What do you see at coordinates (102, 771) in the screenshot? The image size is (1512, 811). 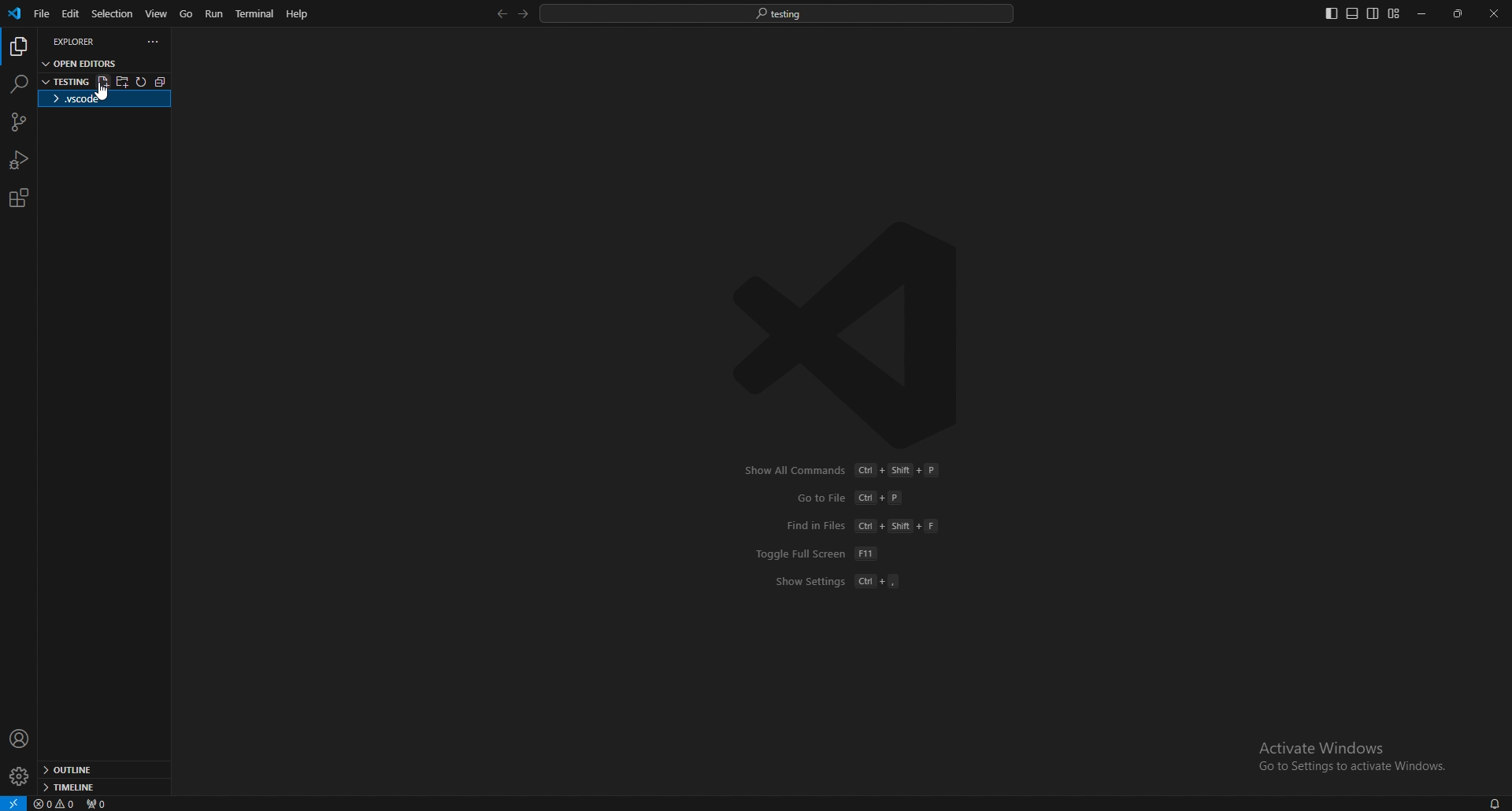 I see `outline` at bounding box center [102, 771].